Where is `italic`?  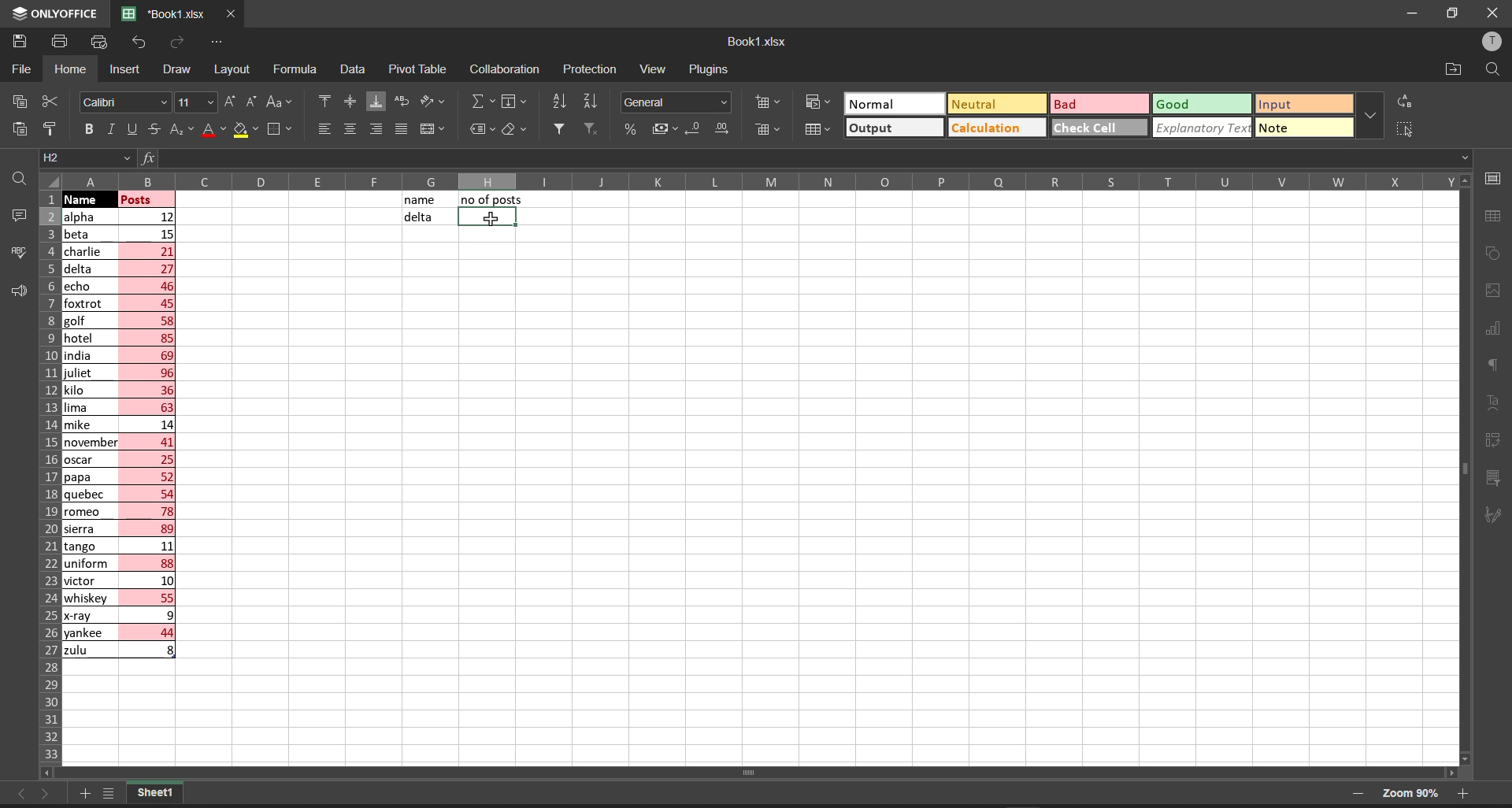 italic is located at coordinates (109, 129).